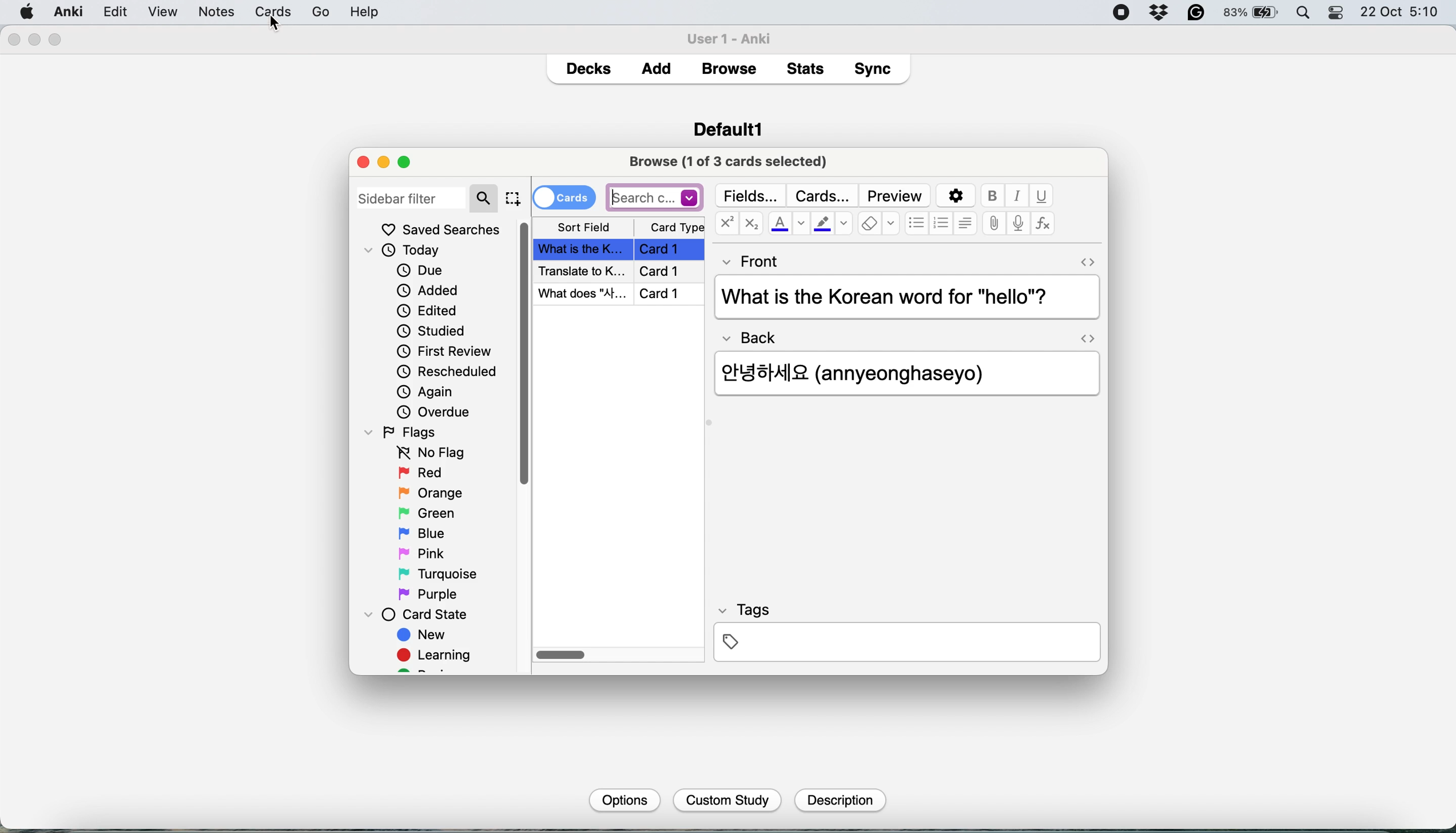 This screenshot has width=1456, height=833. What do you see at coordinates (588, 66) in the screenshot?
I see `Decks` at bounding box center [588, 66].